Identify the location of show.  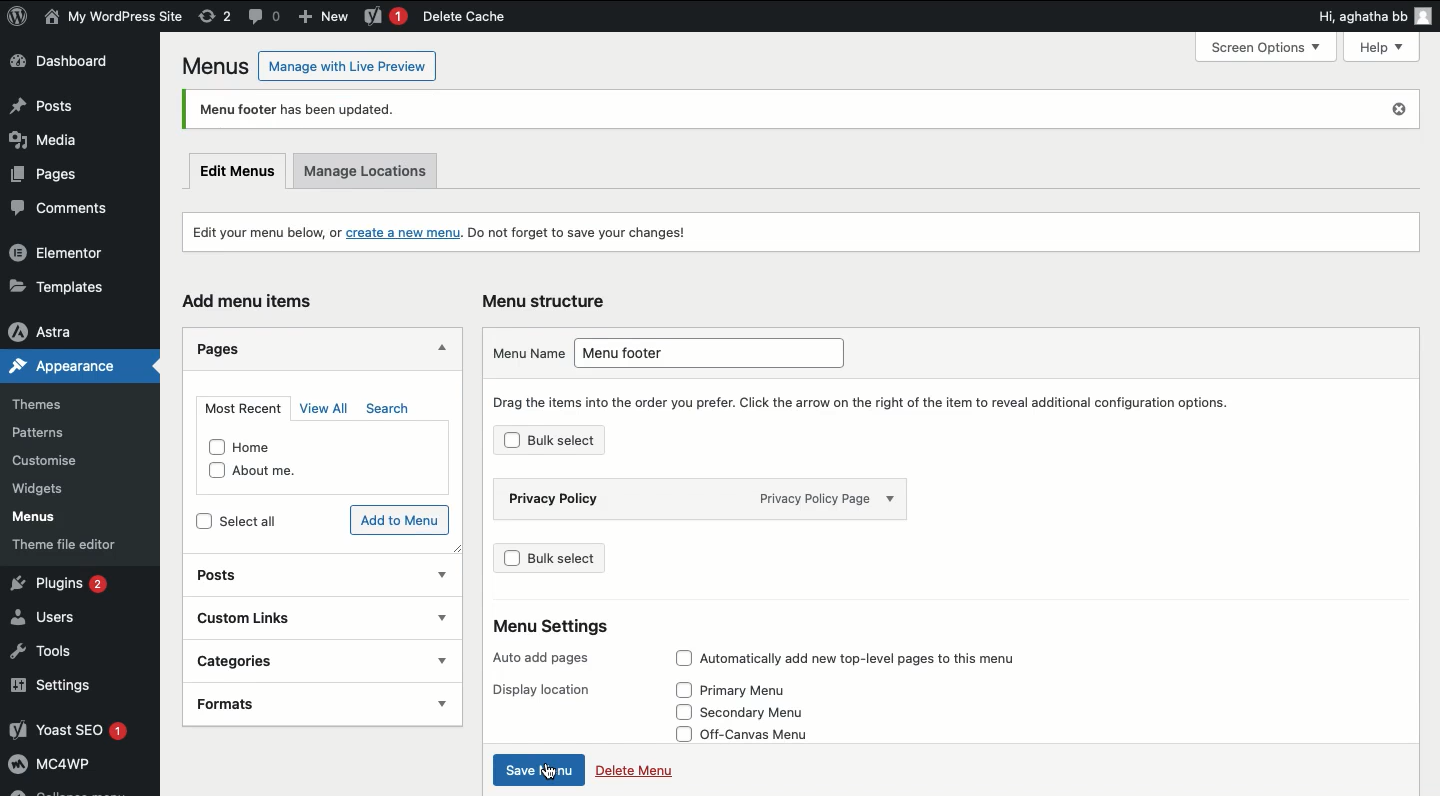
(437, 710).